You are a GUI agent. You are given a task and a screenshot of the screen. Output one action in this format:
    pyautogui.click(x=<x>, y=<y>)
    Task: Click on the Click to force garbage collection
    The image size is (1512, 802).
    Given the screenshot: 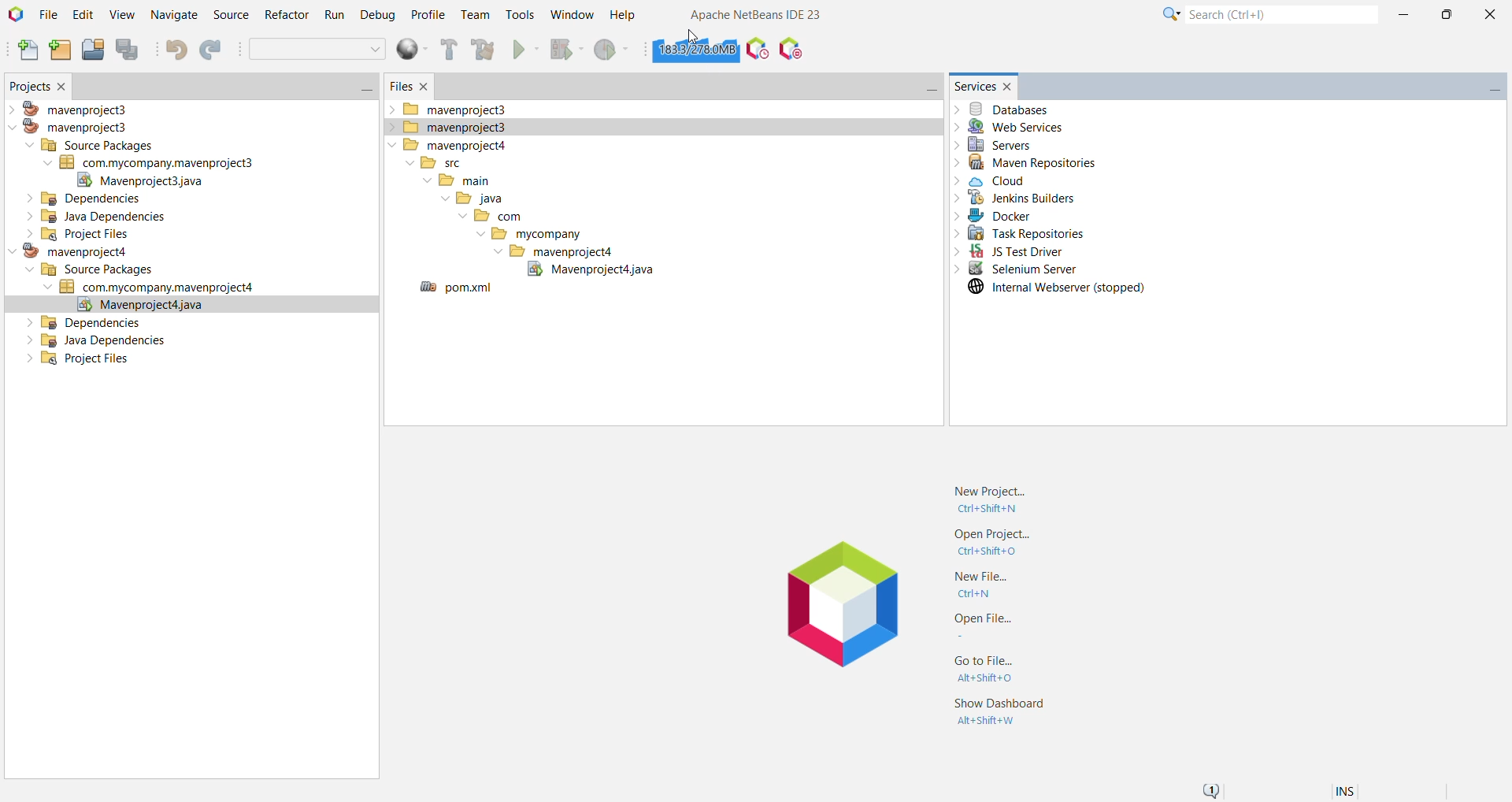 What is the action you would take?
    pyautogui.click(x=695, y=50)
    